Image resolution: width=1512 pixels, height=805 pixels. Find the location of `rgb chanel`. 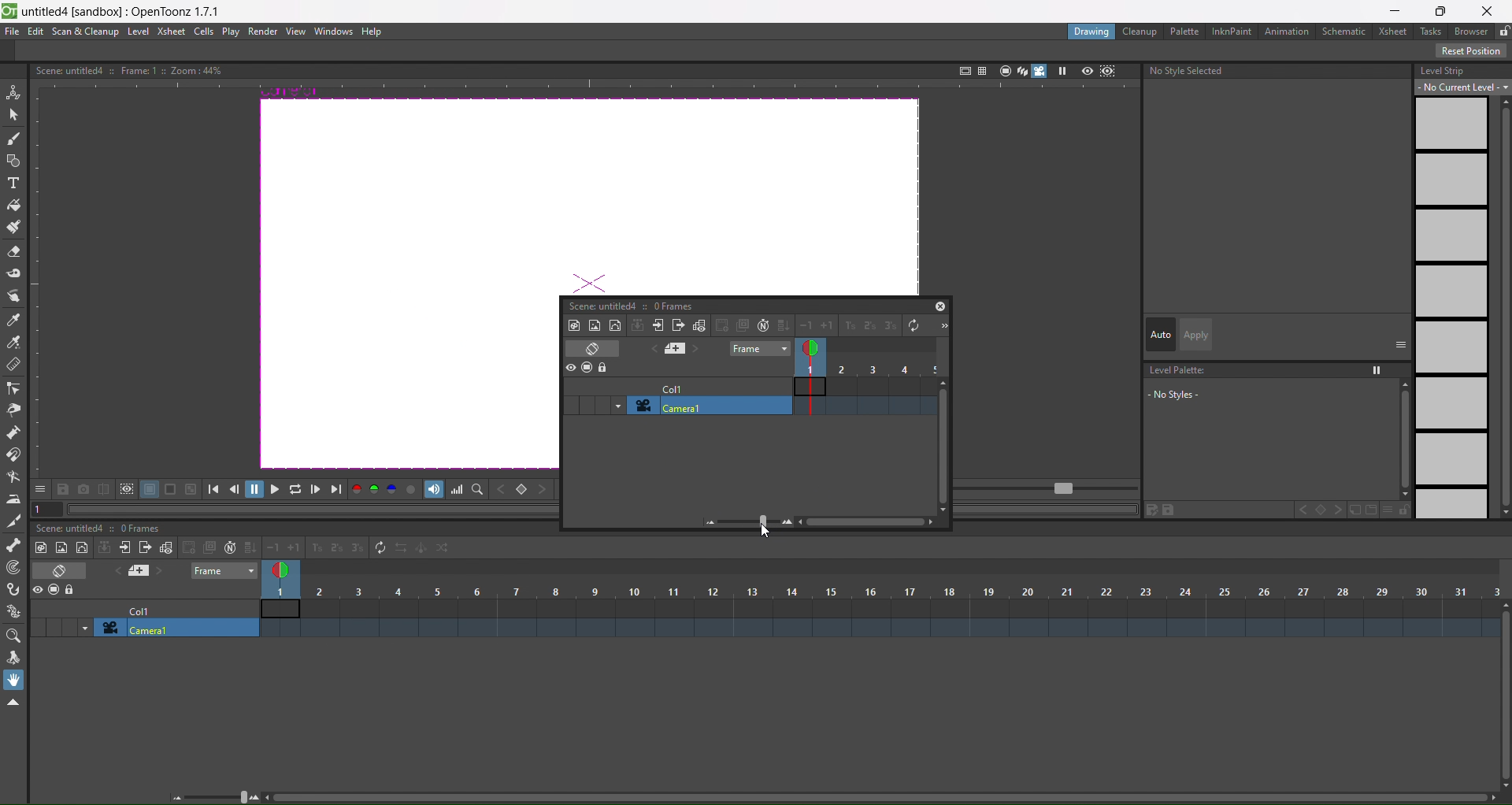

rgb chanel is located at coordinates (376, 490).